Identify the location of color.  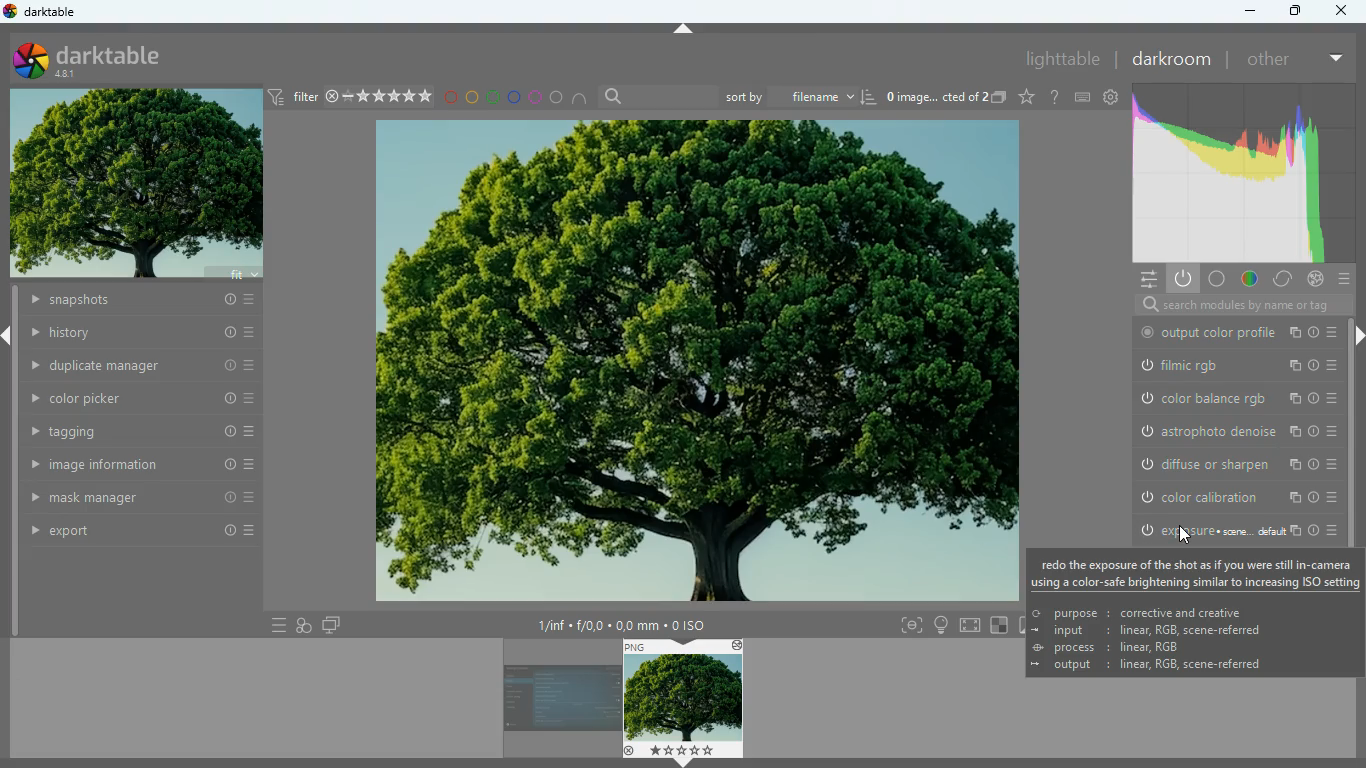
(1252, 278).